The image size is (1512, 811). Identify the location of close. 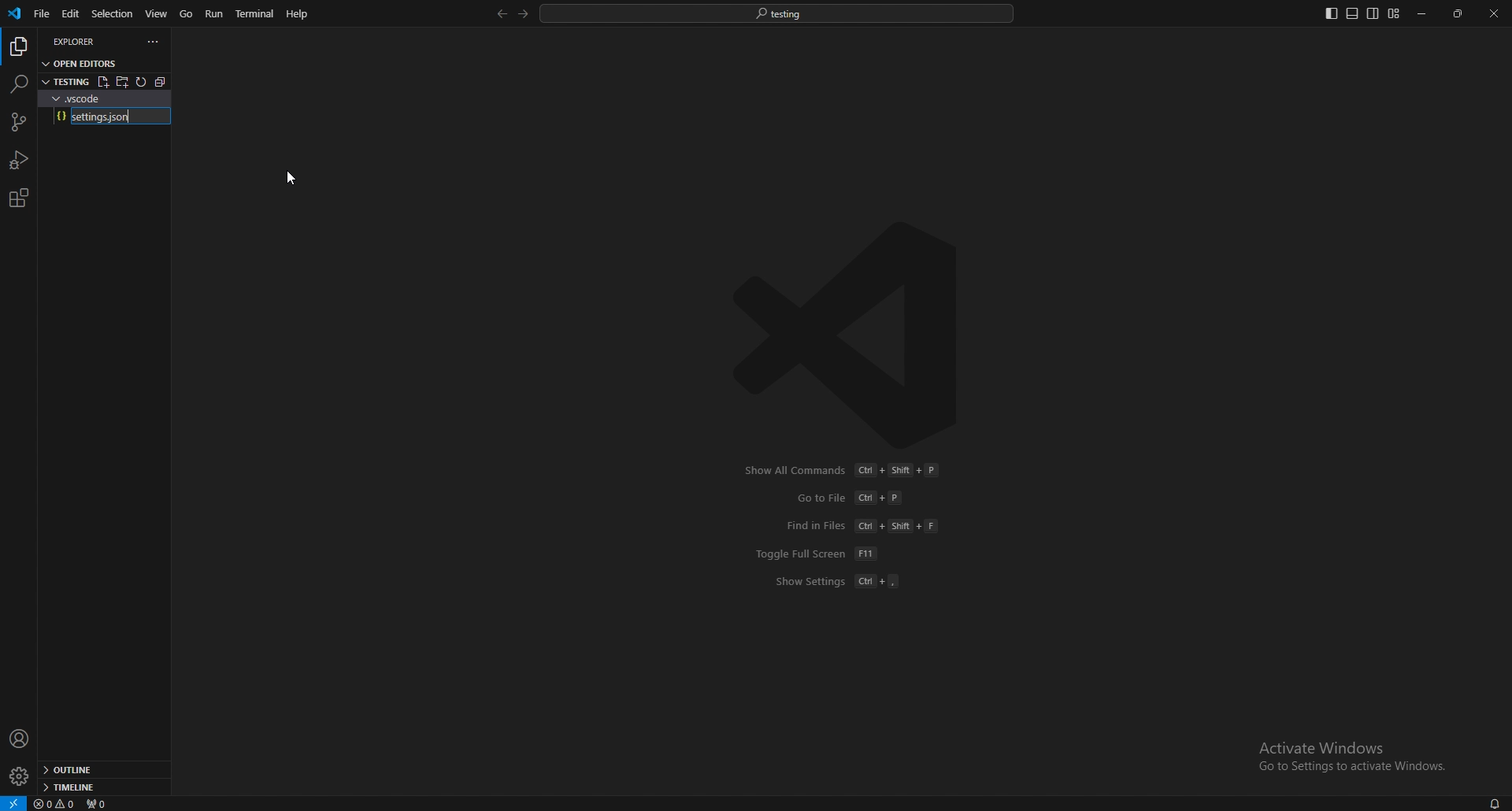
(1494, 13).